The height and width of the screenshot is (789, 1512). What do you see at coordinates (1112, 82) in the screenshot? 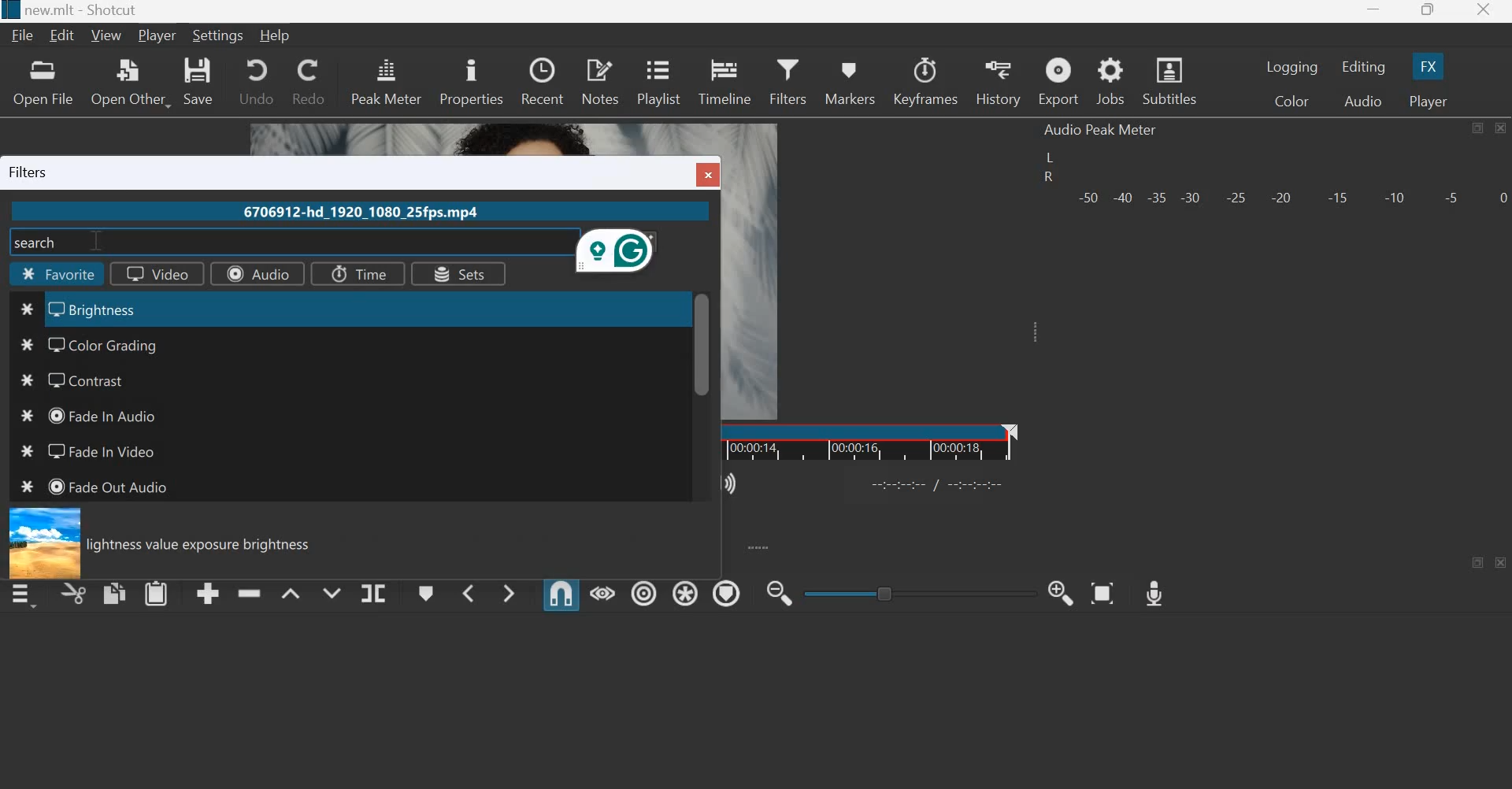
I see `jobs` at bounding box center [1112, 82].